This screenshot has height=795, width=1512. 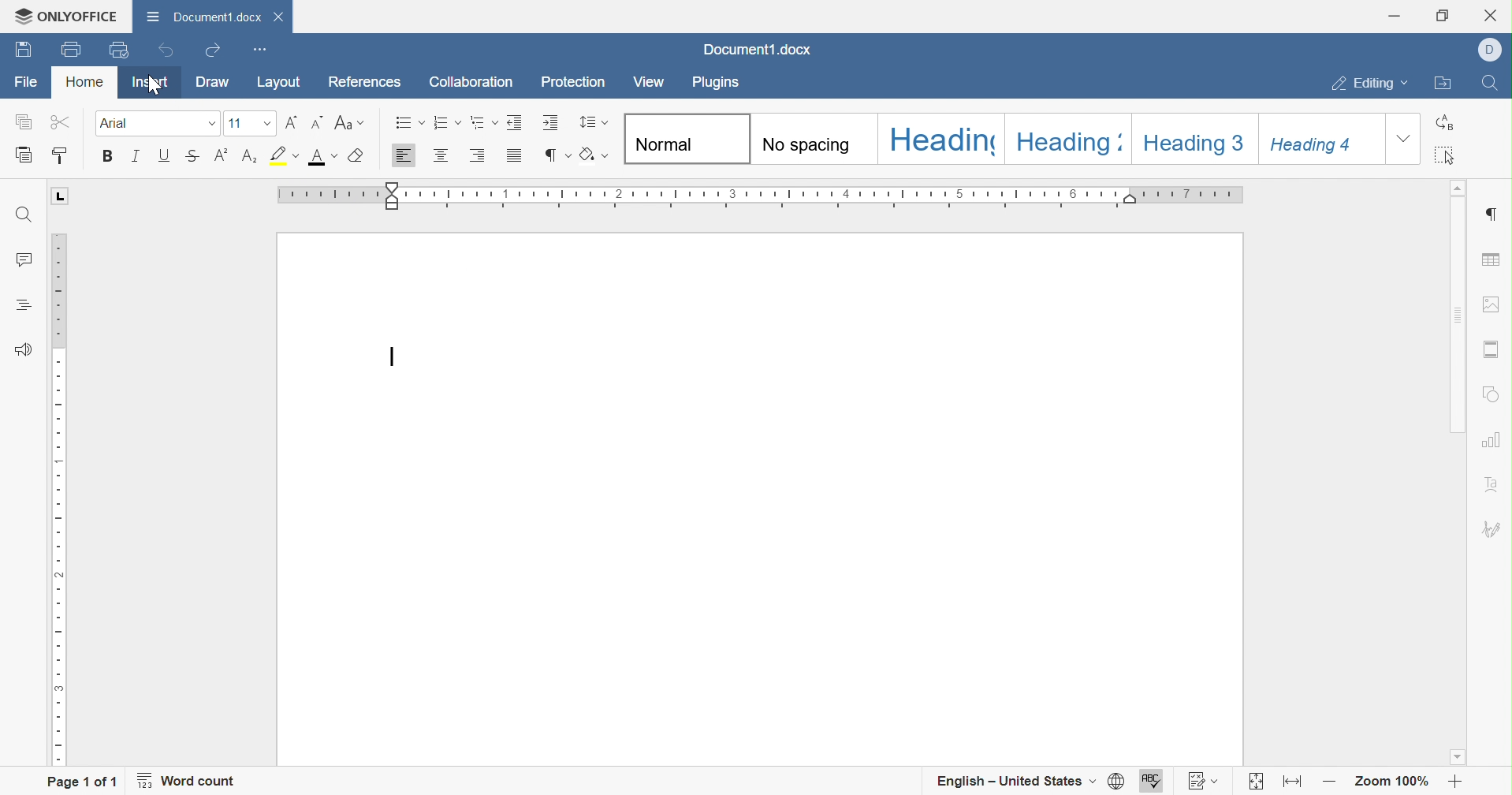 I want to click on Comments, so click(x=26, y=258).